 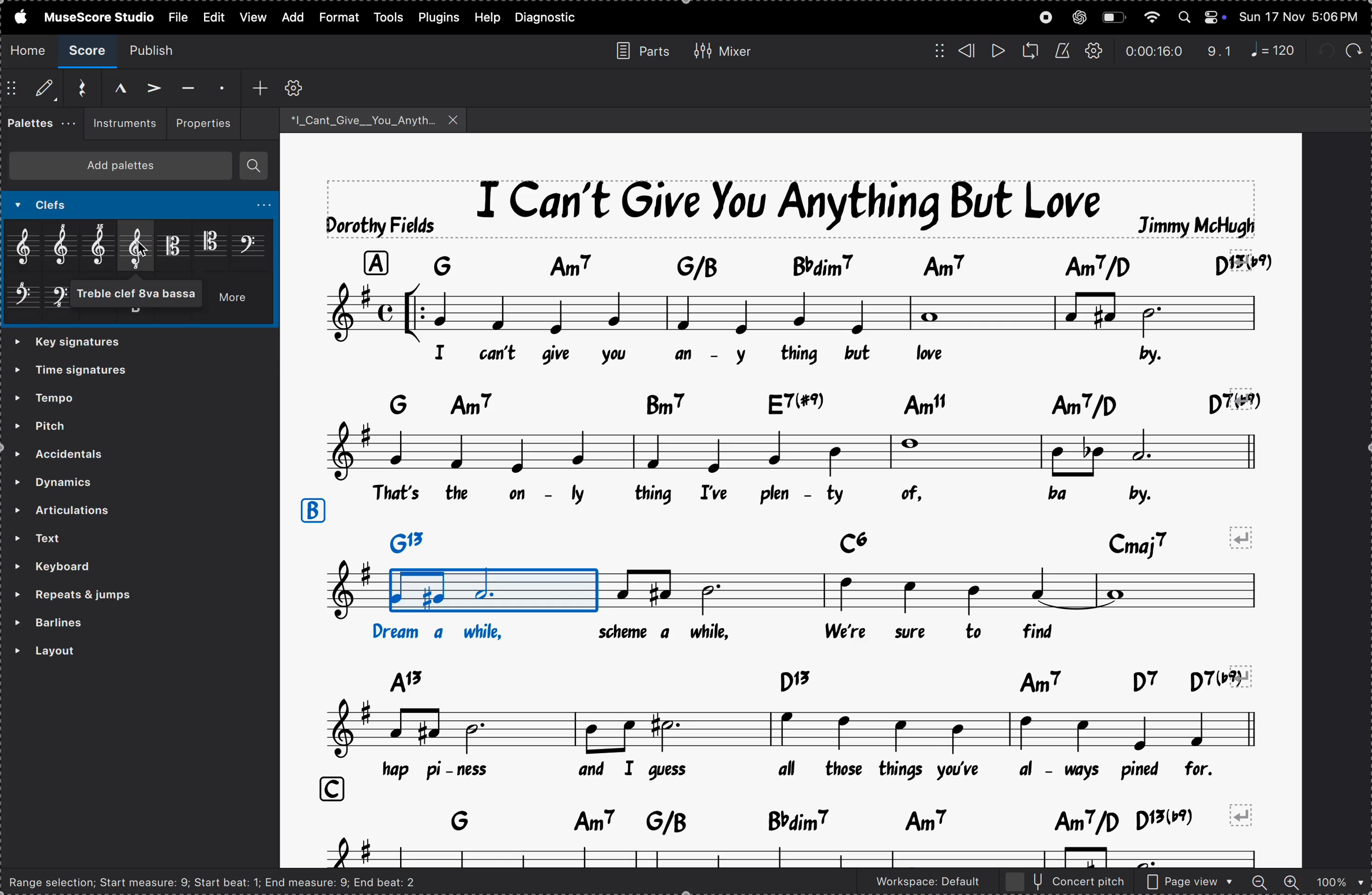 I want to click on search, so click(x=254, y=166).